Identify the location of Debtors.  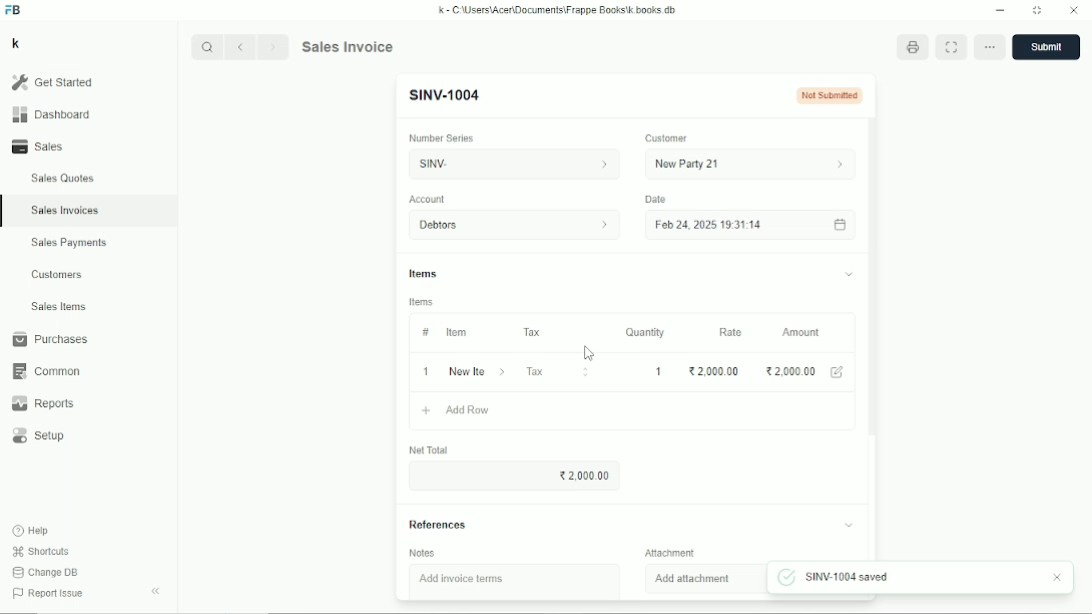
(516, 225).